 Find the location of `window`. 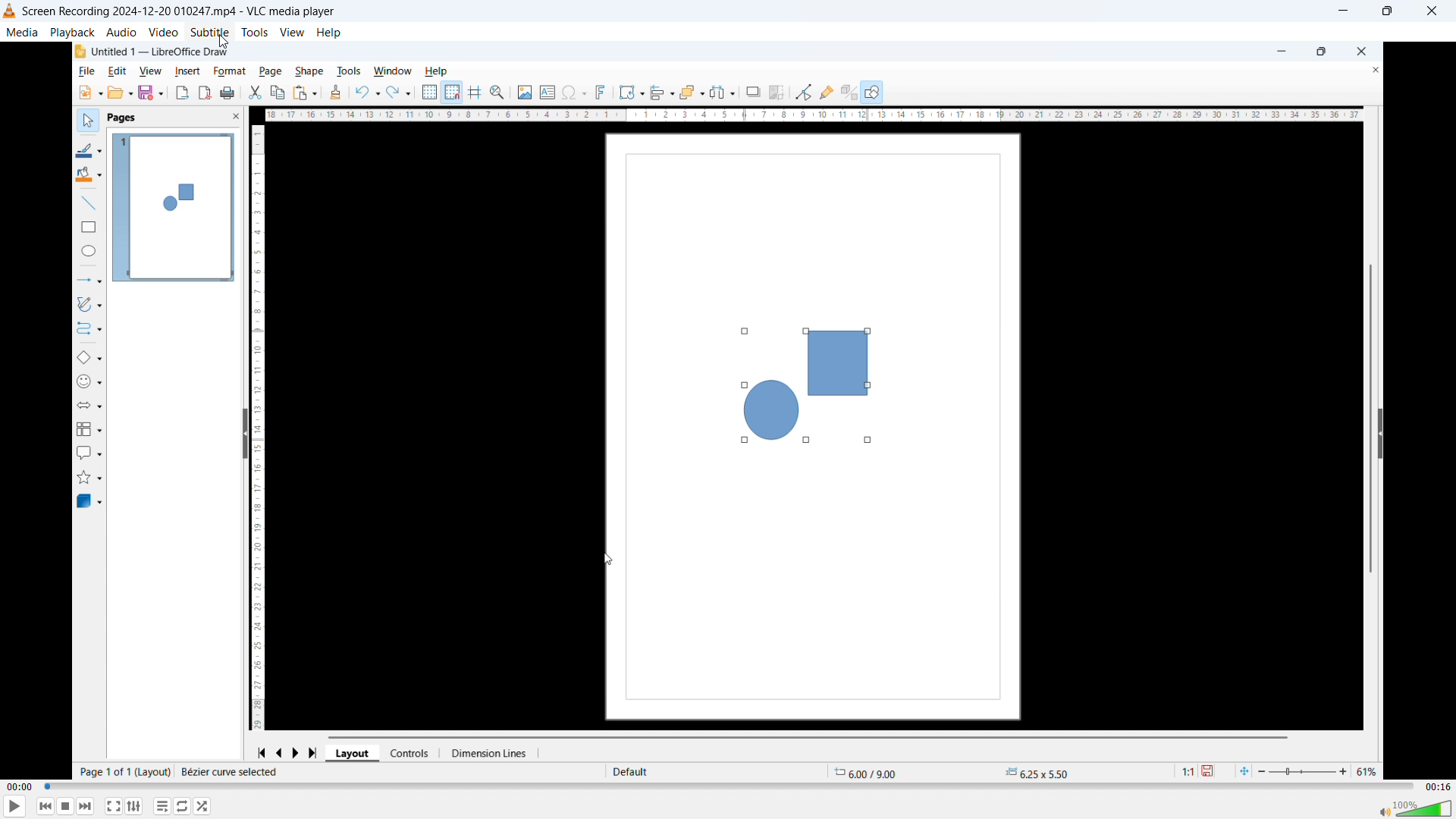

window is located at coordinates (393, 71).